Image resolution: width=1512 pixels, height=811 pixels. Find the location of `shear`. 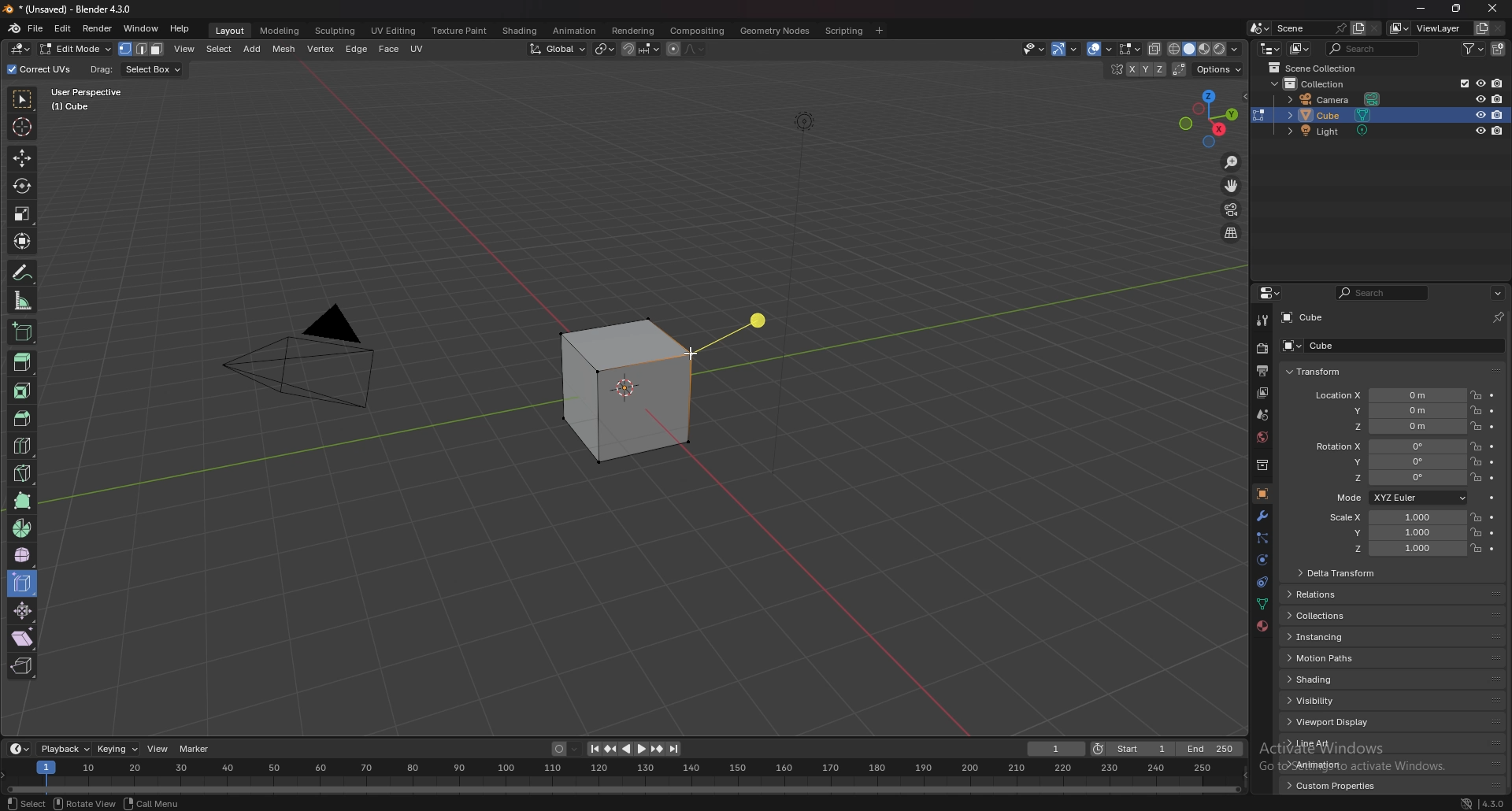

shear is located at coordinates (22, 637).